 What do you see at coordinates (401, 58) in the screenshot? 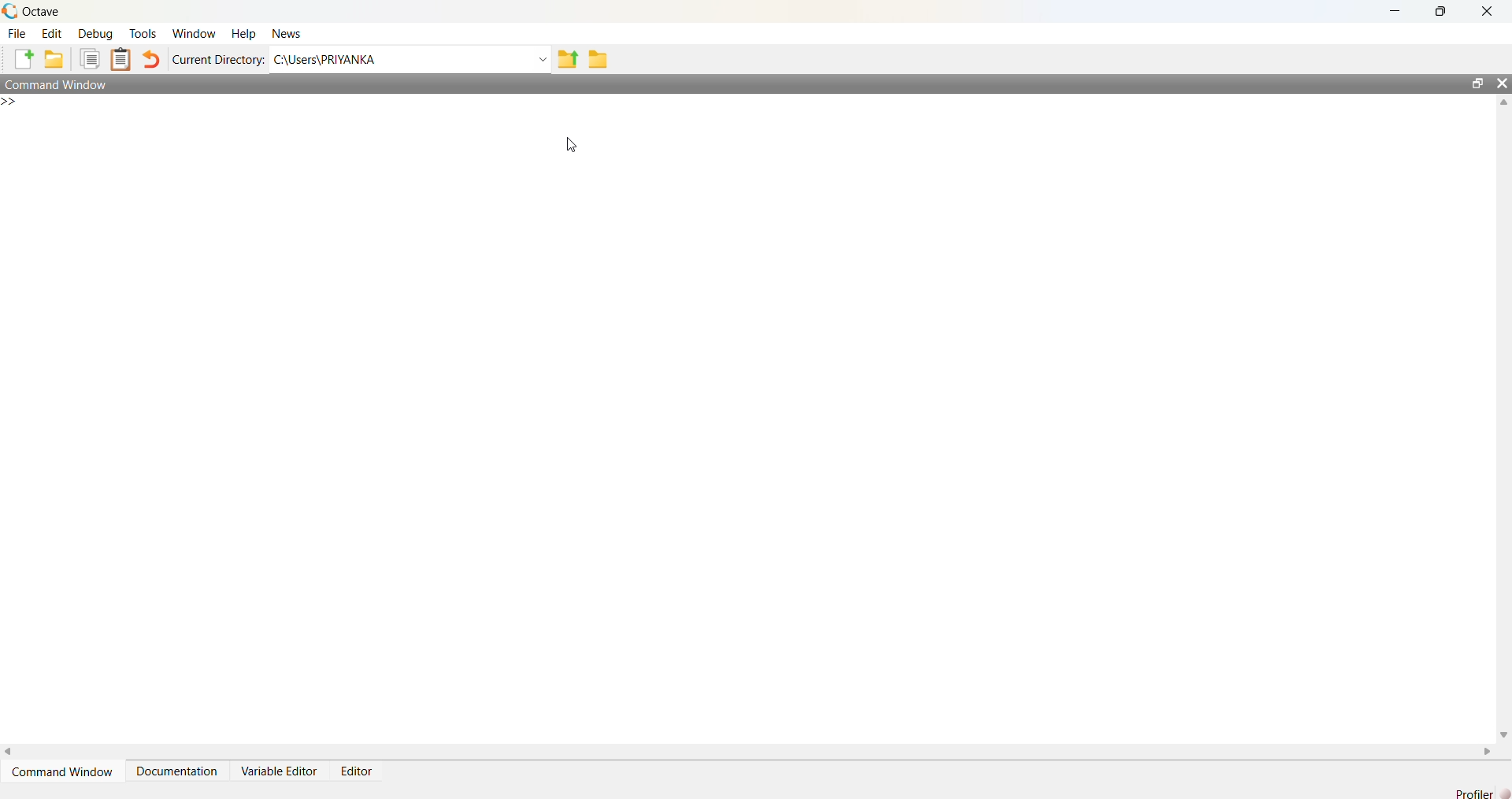
I see `C:/Users/PRIYANKA` at bounding box center [401, 58].